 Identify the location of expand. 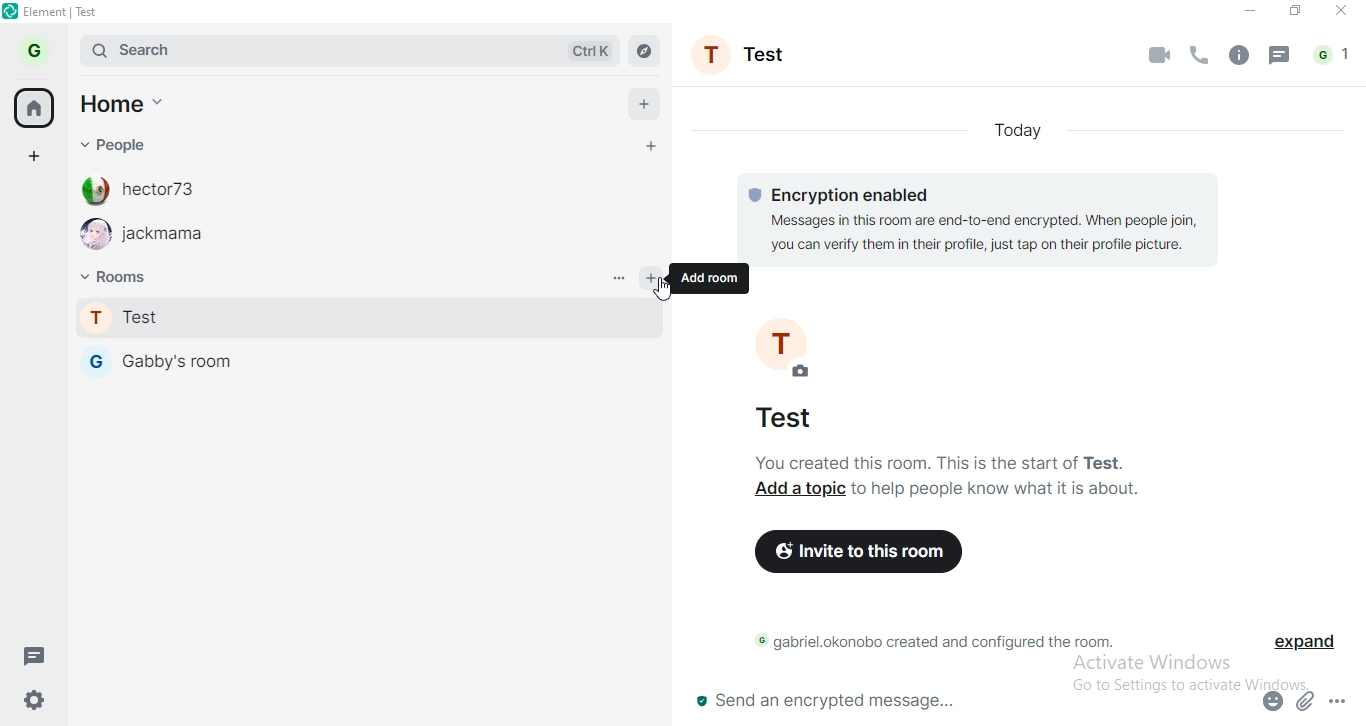
(1305, 641).